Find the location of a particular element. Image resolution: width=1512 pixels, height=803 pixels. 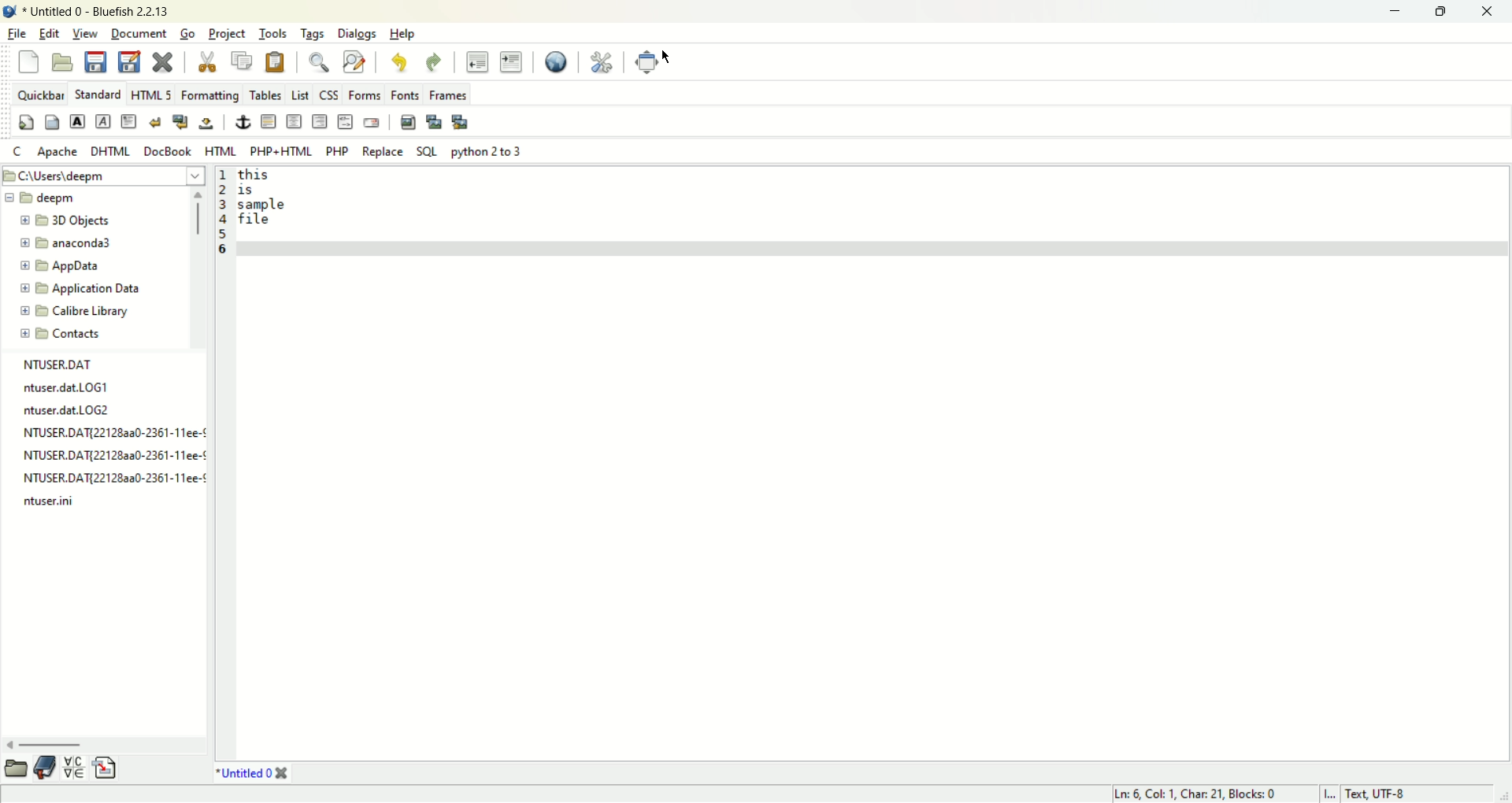

title is located at coordinates (97, 11).